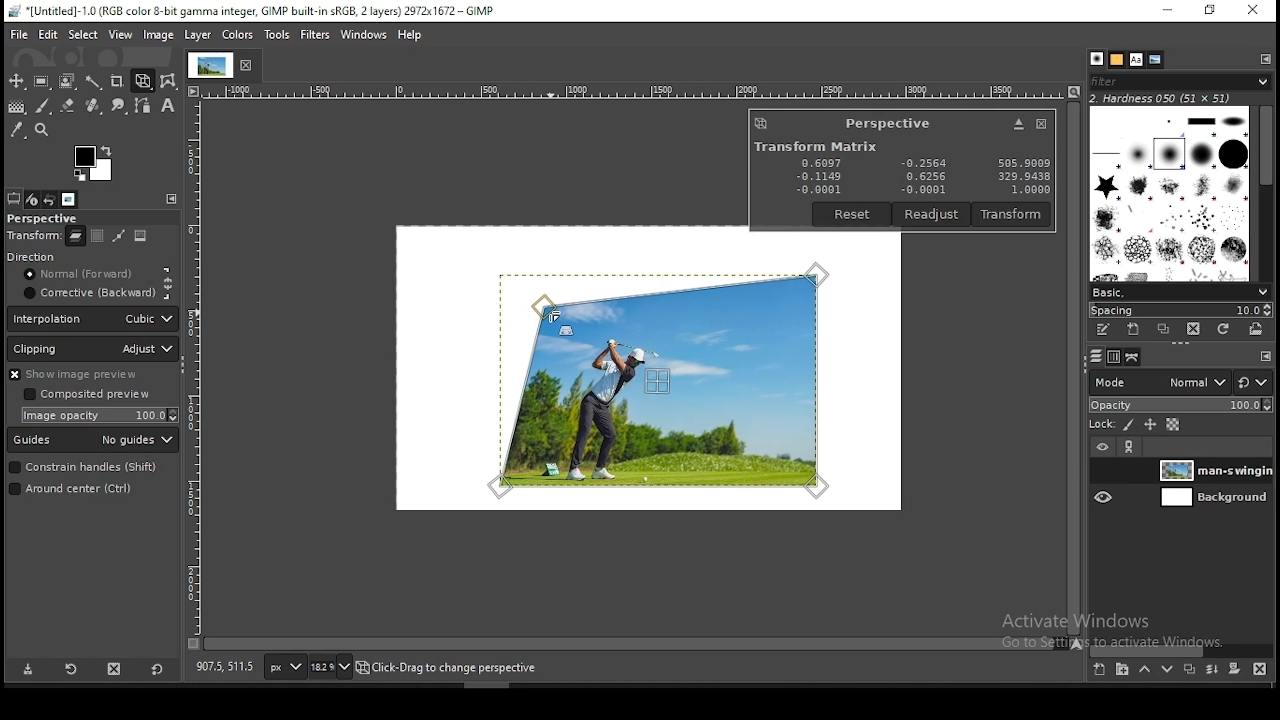 The height and width of the screenshot is (720, 1280). I want to click on move layer on step down, so click(1165, 670).